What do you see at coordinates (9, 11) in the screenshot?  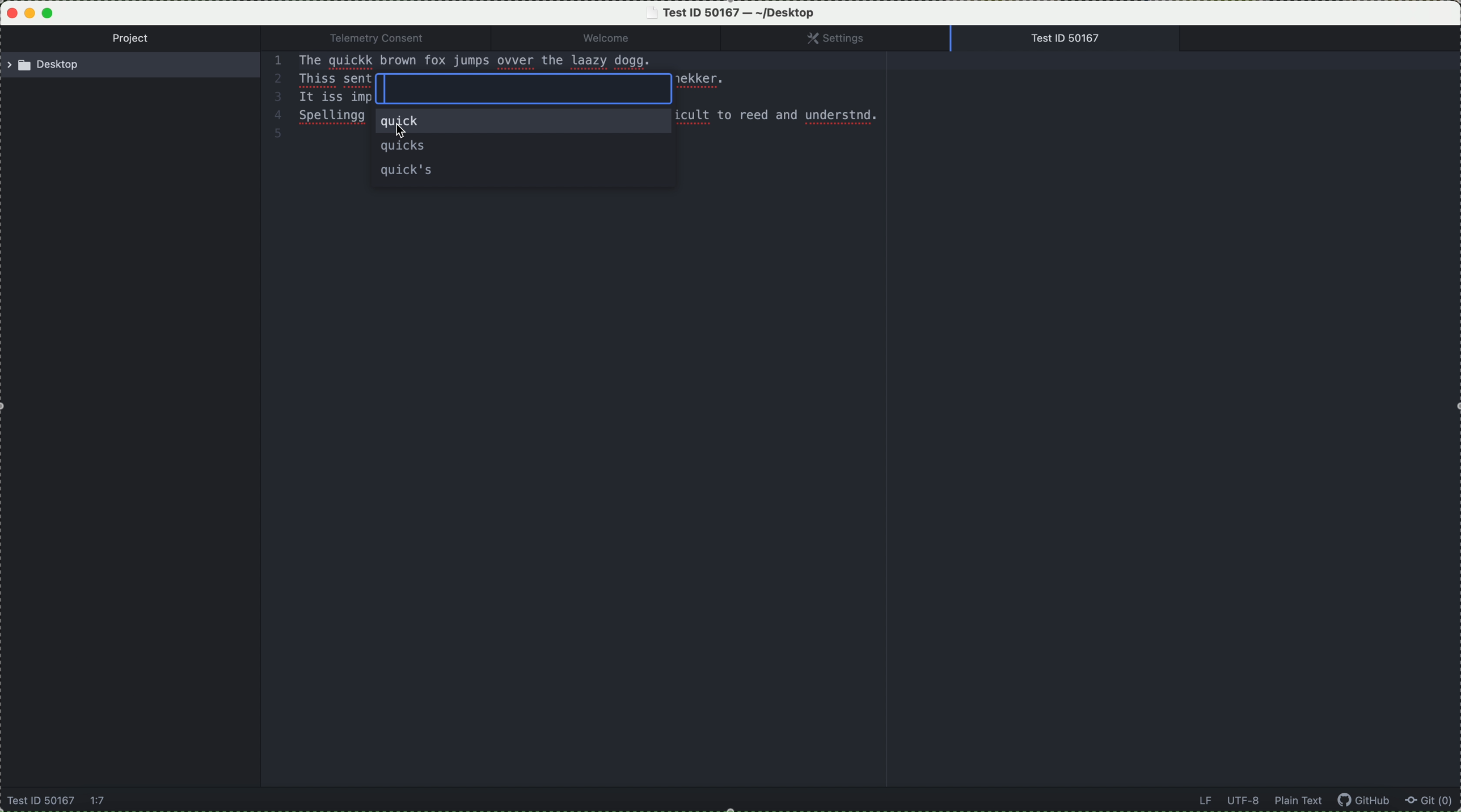 I see `close program` at bounding box center [9, 11].